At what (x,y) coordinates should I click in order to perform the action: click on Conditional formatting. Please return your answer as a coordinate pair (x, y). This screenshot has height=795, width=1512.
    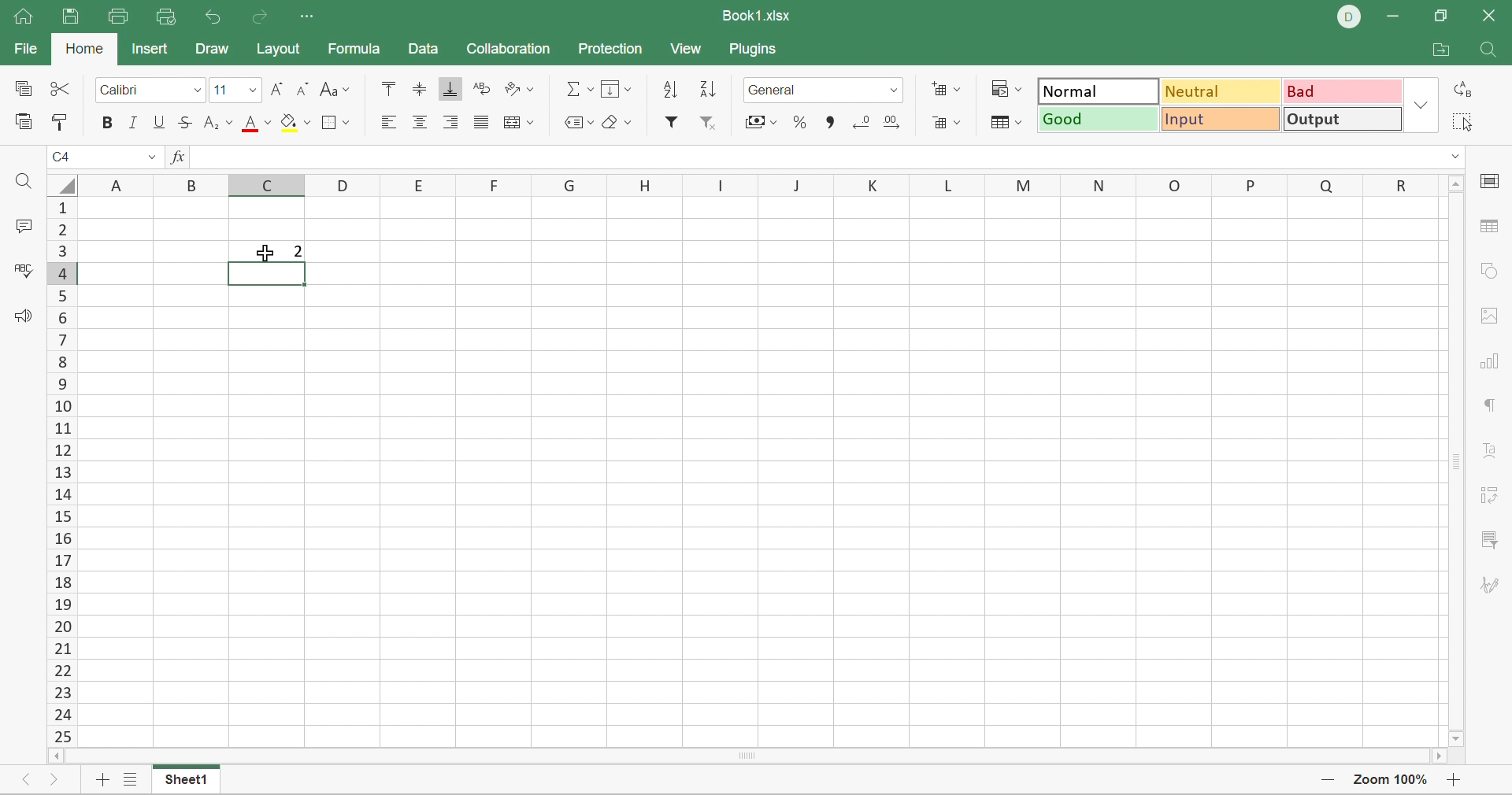
    Looking at the image, I should click on (1008, 87).